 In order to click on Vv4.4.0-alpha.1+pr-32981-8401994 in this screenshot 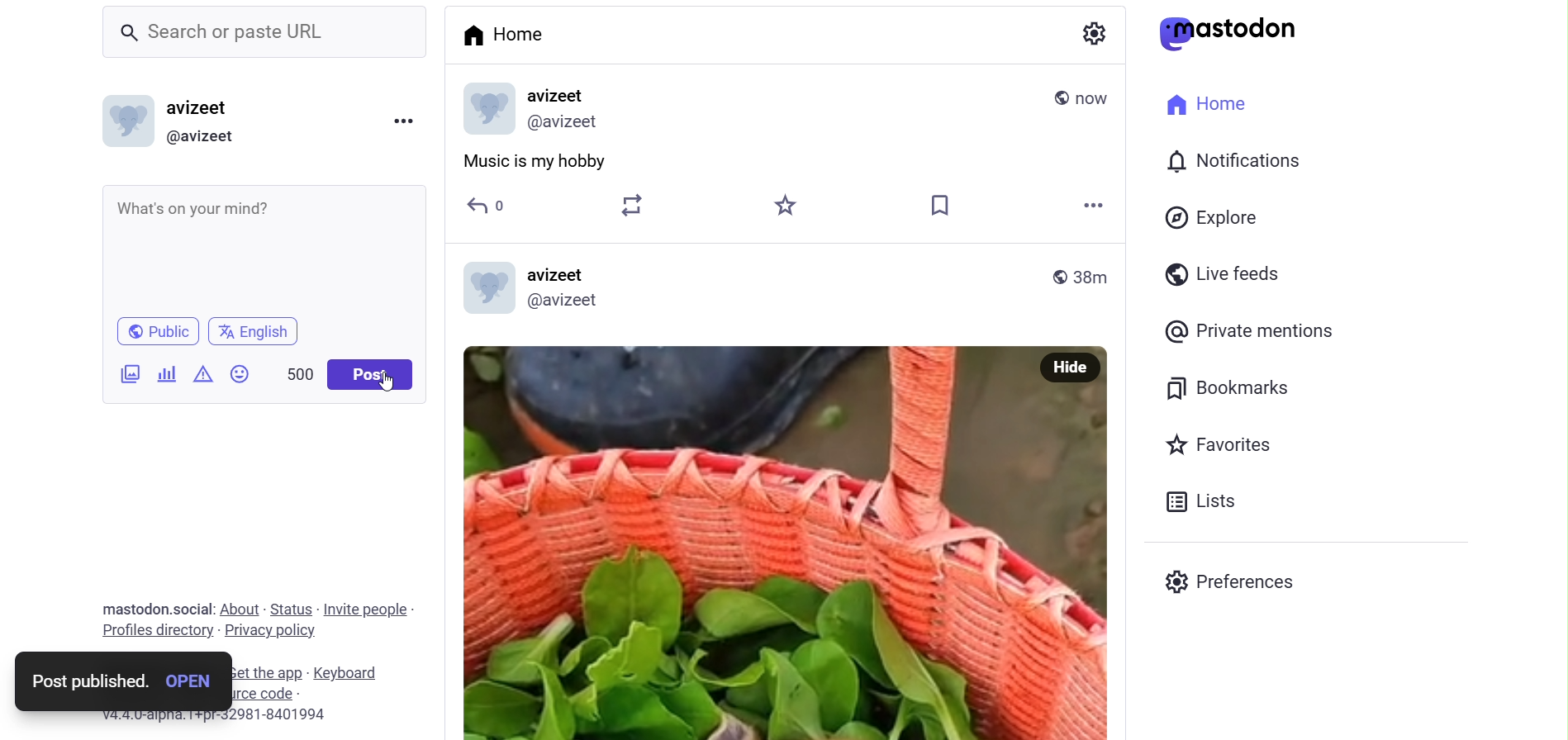, I will do `click(227, 716)`.